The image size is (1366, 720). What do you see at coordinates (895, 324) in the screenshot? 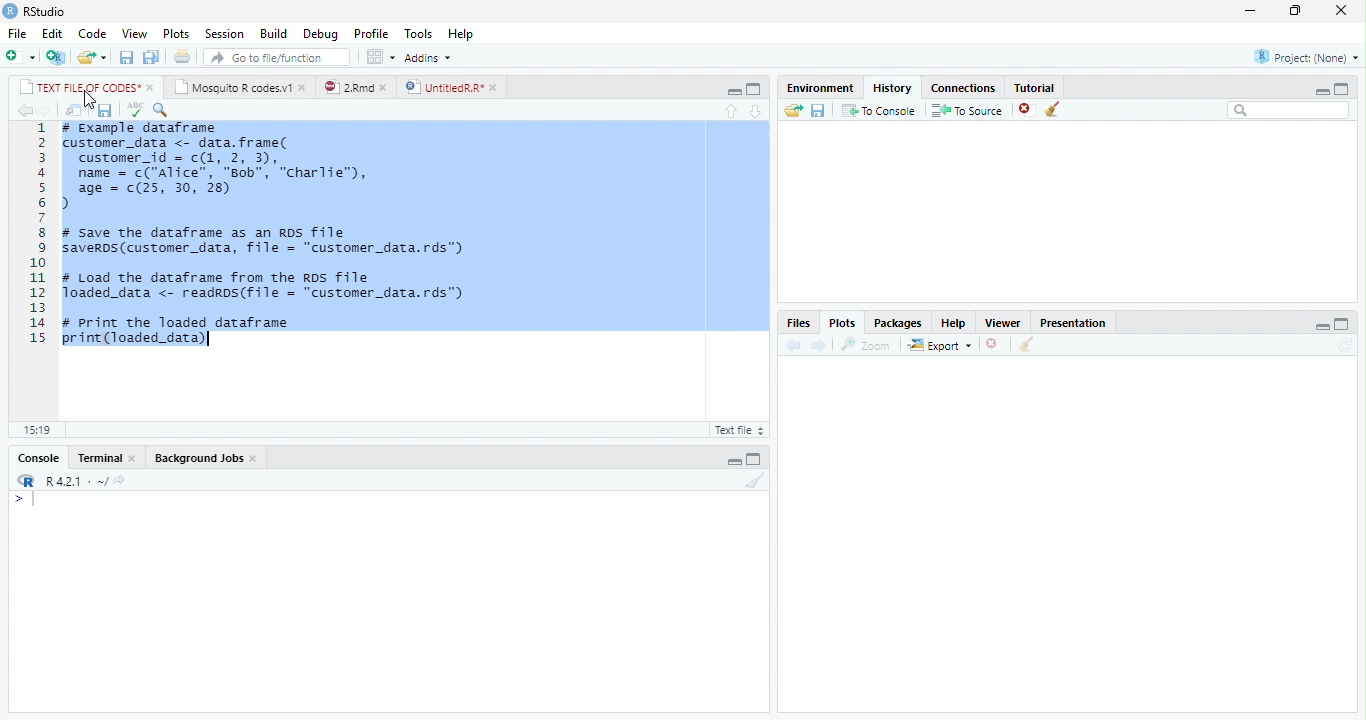
I see `Packages` at bounding box center [895, 324].